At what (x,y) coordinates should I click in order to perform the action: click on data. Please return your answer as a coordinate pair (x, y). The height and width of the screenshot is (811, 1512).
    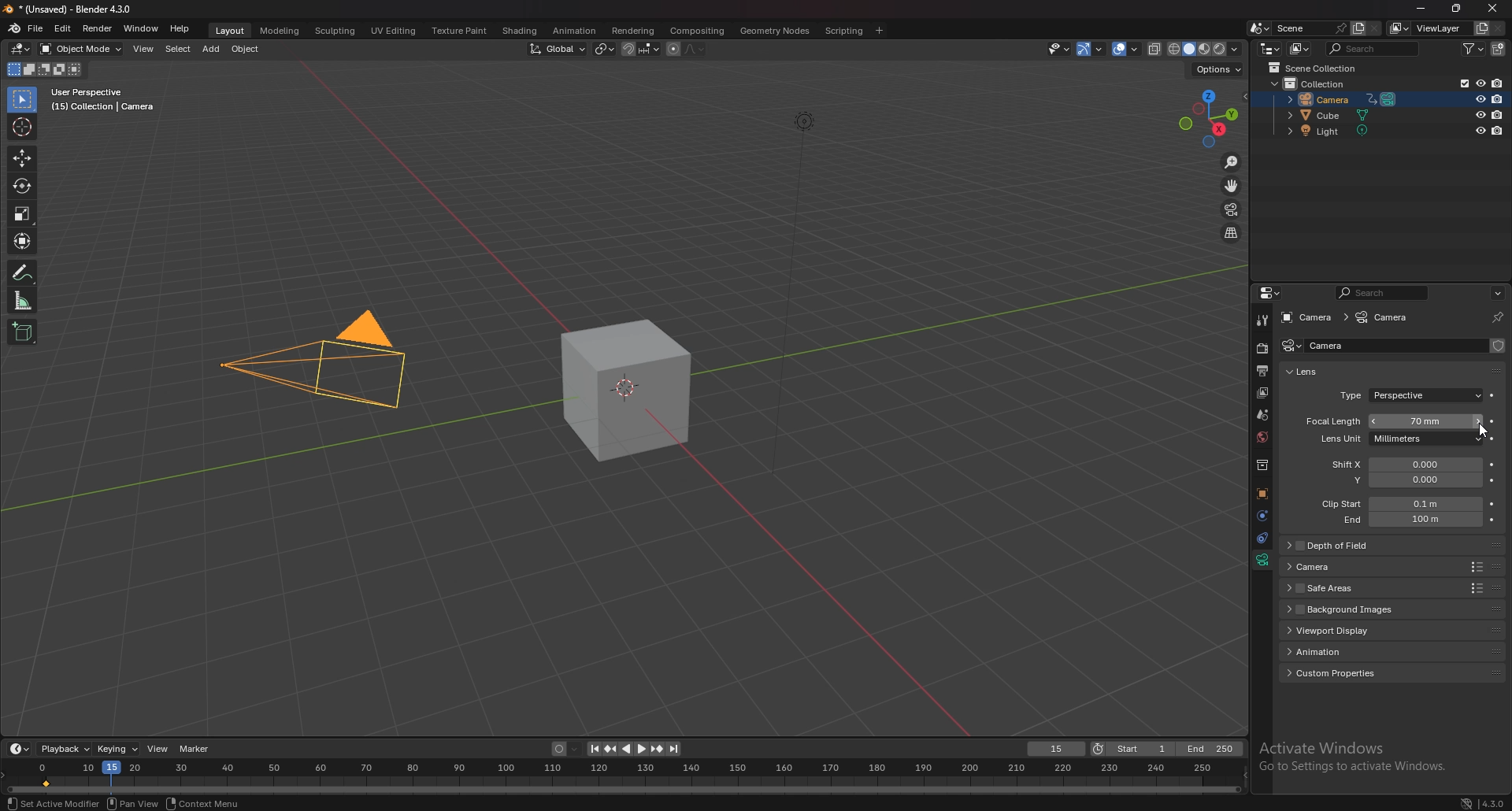
    Looking at the image, I should click on (1262, 560).